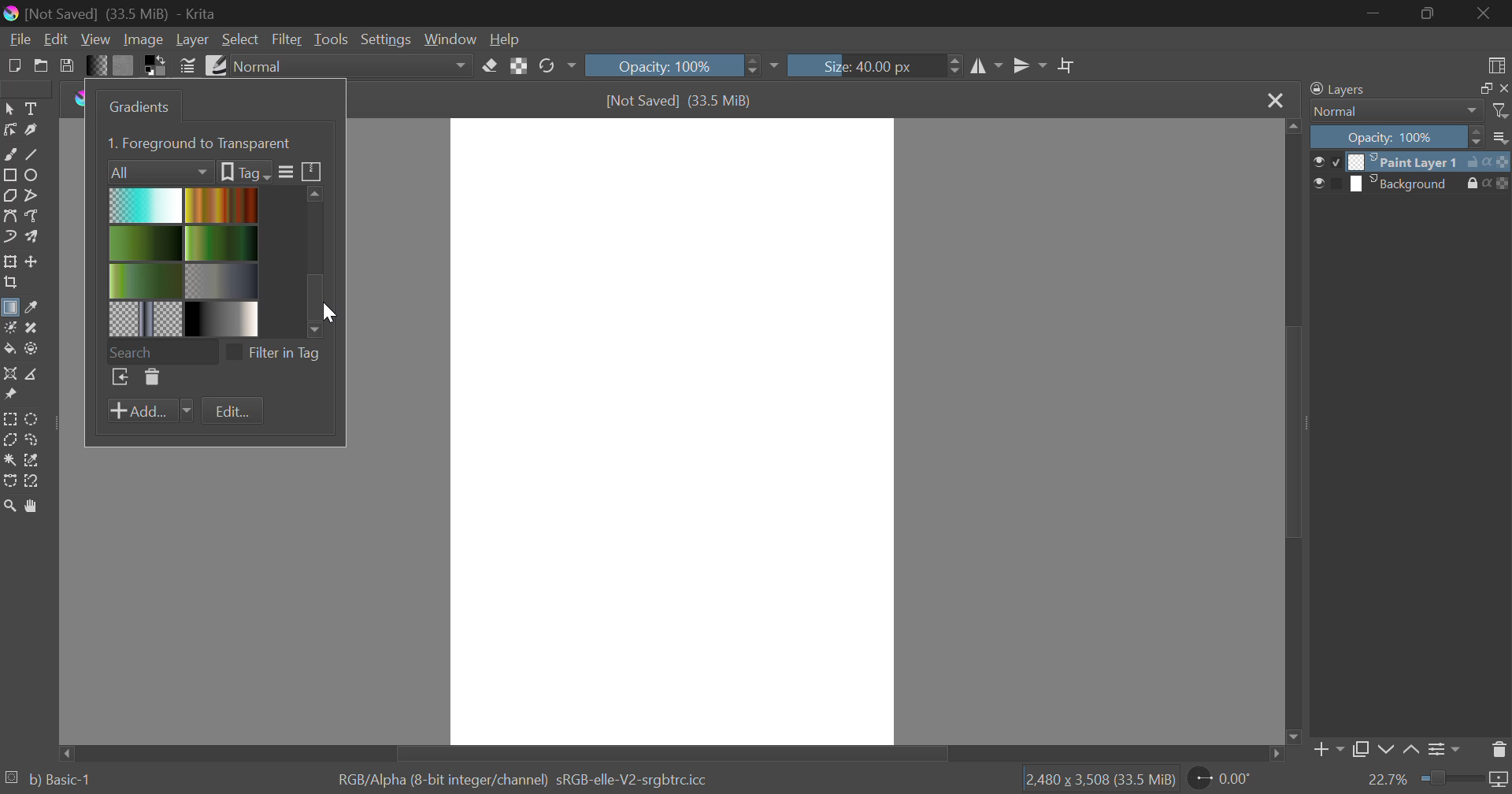 The height and width of the screenshot is (794, 1512). Describe the element at coordinates (30, 349) in the screenshot. I see `Enclose and Fill` at that location.